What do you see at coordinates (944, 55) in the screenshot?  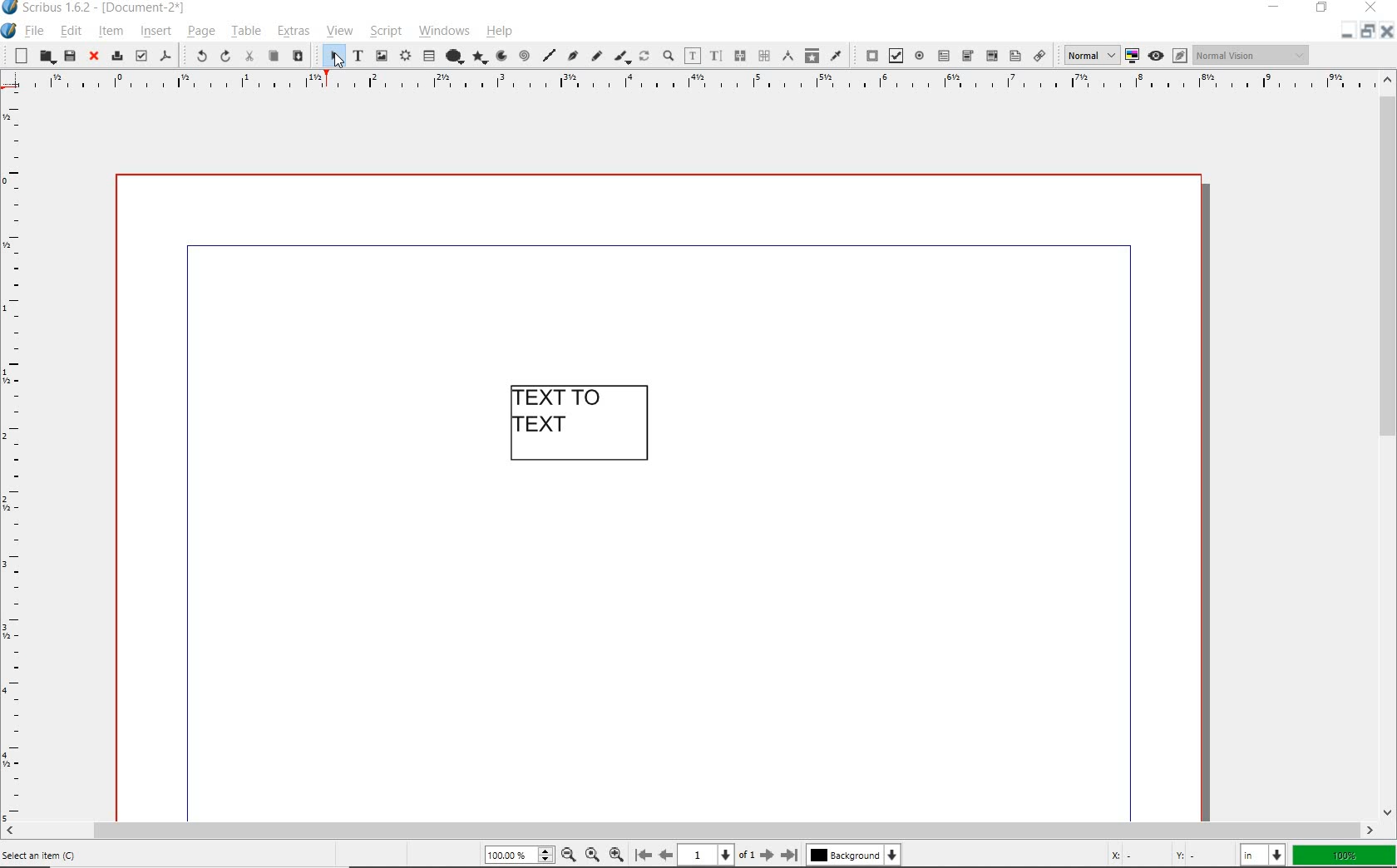 I see `pdf text field` at bounding box center [944, 55].